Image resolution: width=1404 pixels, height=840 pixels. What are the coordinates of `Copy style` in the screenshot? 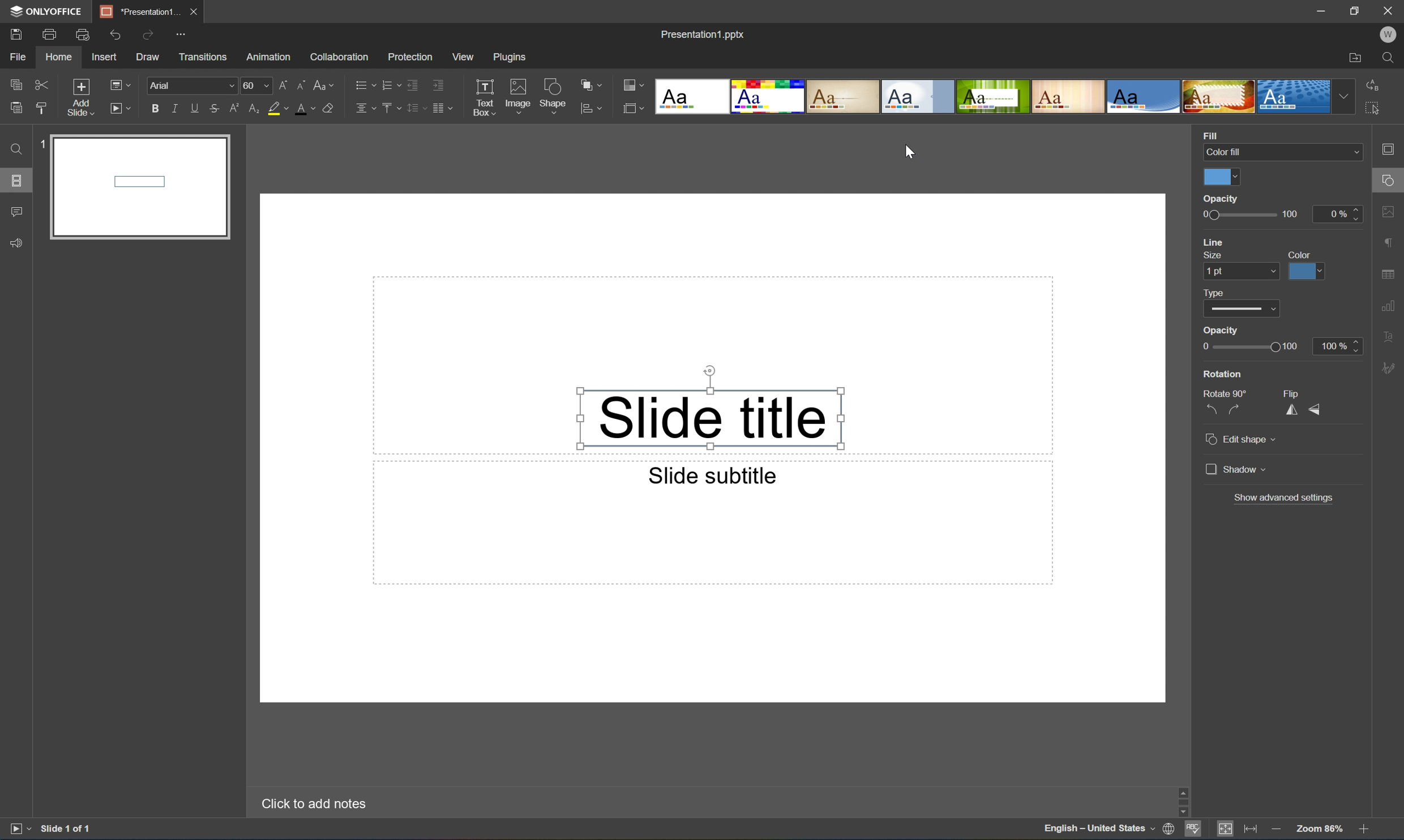 It's located at (41, 106).